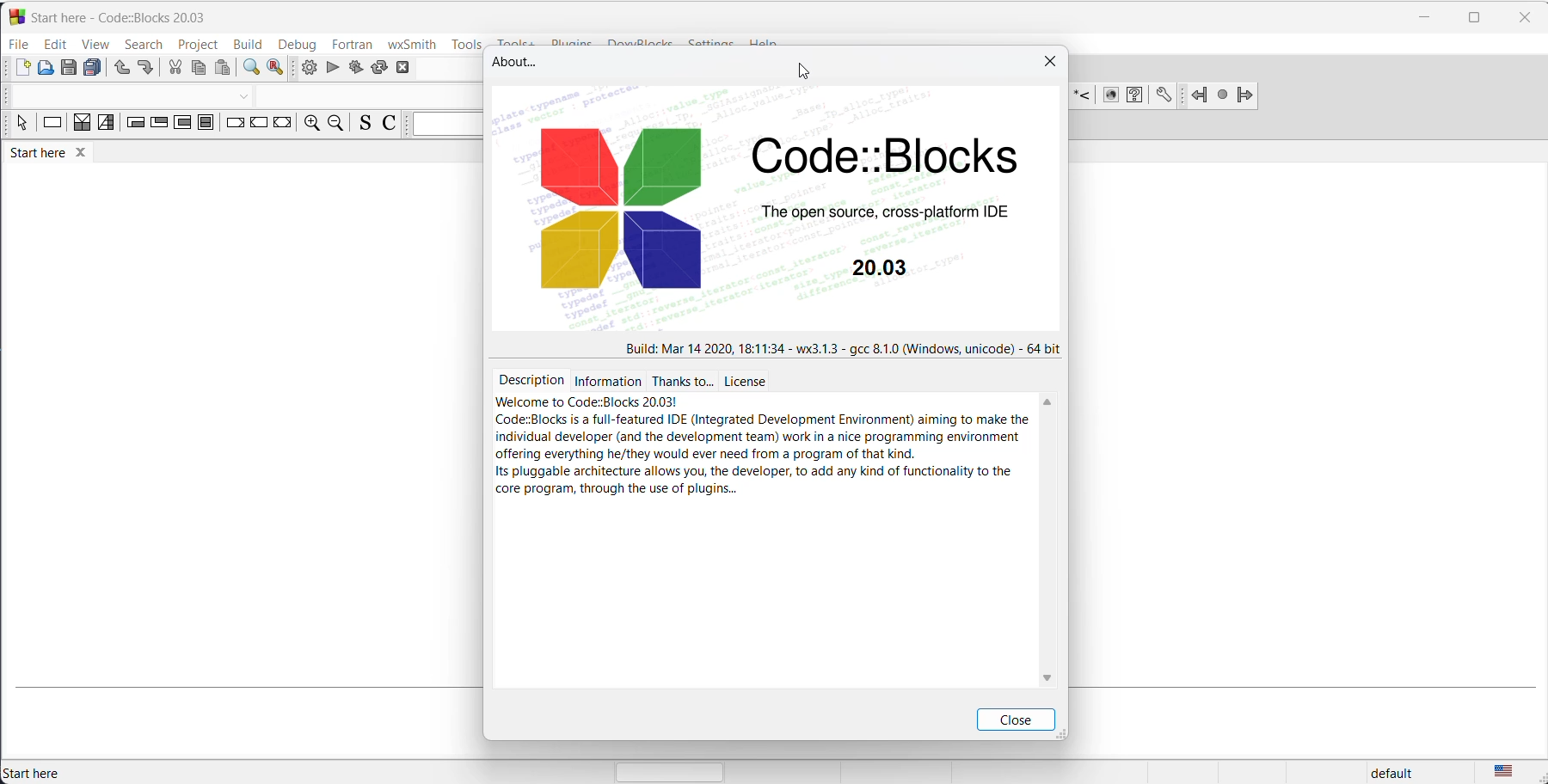 This screenshot has width=1548, height=784. I want to click on file title, so click(115, 16).